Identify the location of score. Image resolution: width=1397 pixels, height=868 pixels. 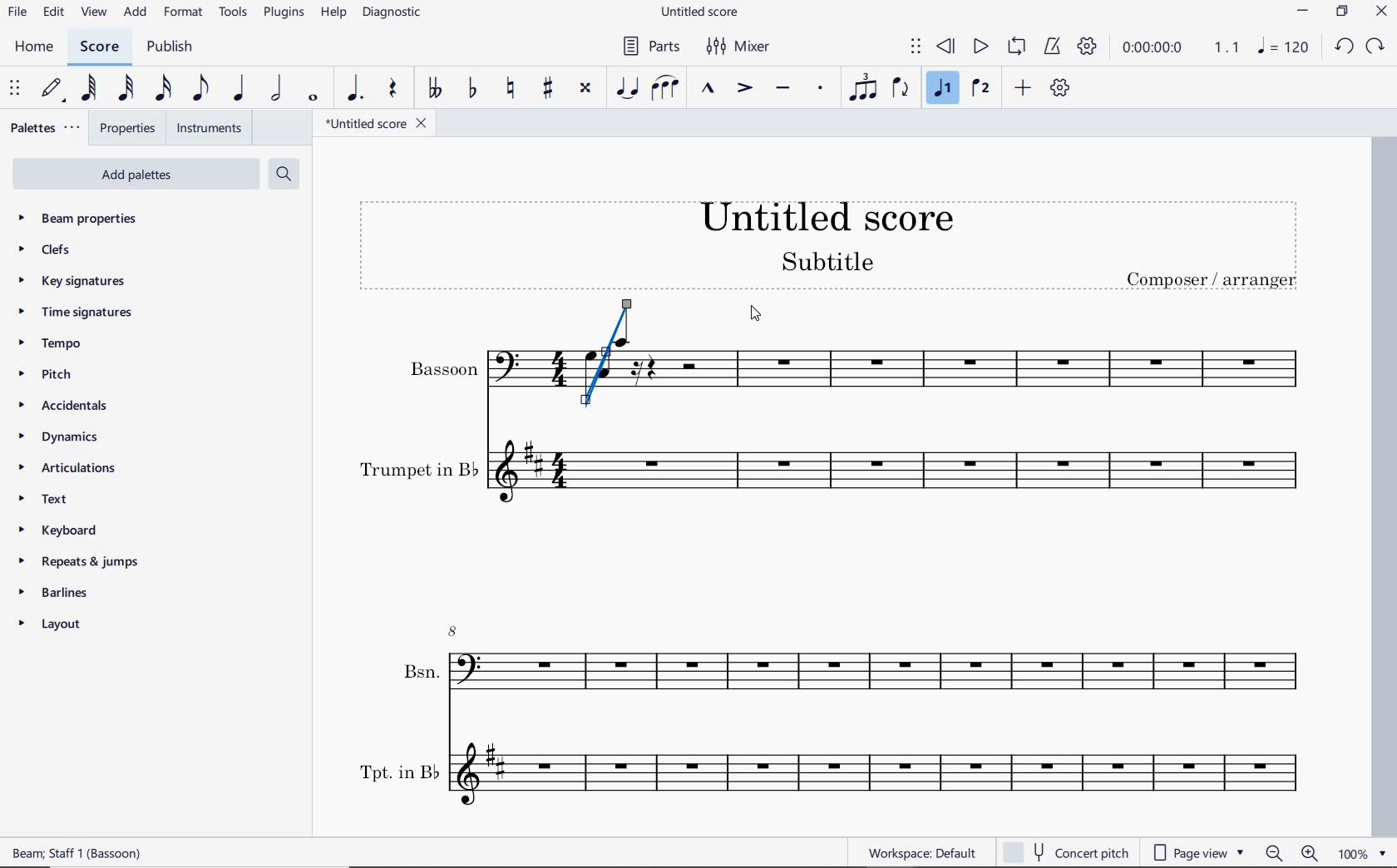
(98, 46).